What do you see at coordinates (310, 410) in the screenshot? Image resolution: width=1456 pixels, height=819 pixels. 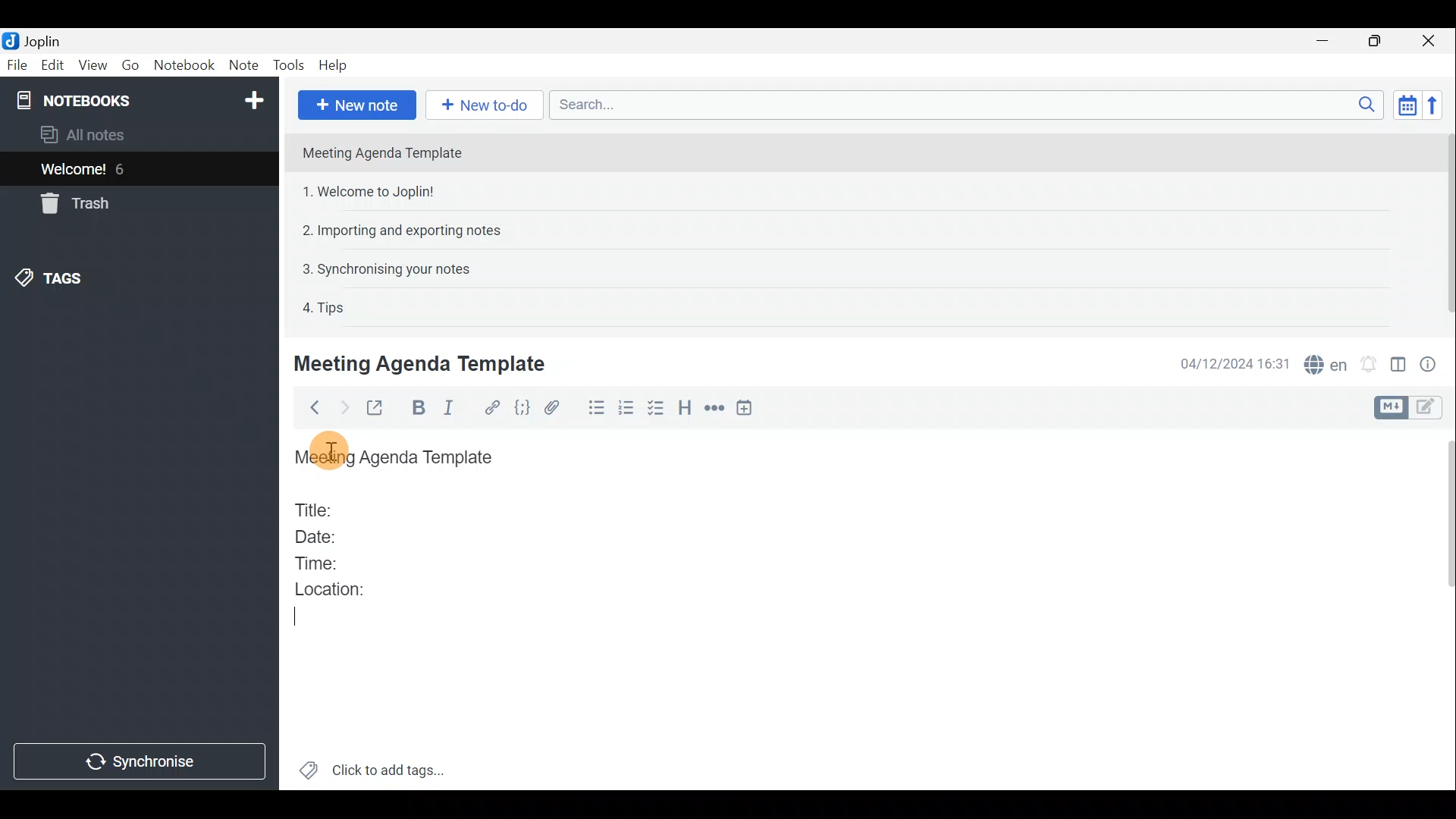 I see `Back` at bounding box center [310, 410].